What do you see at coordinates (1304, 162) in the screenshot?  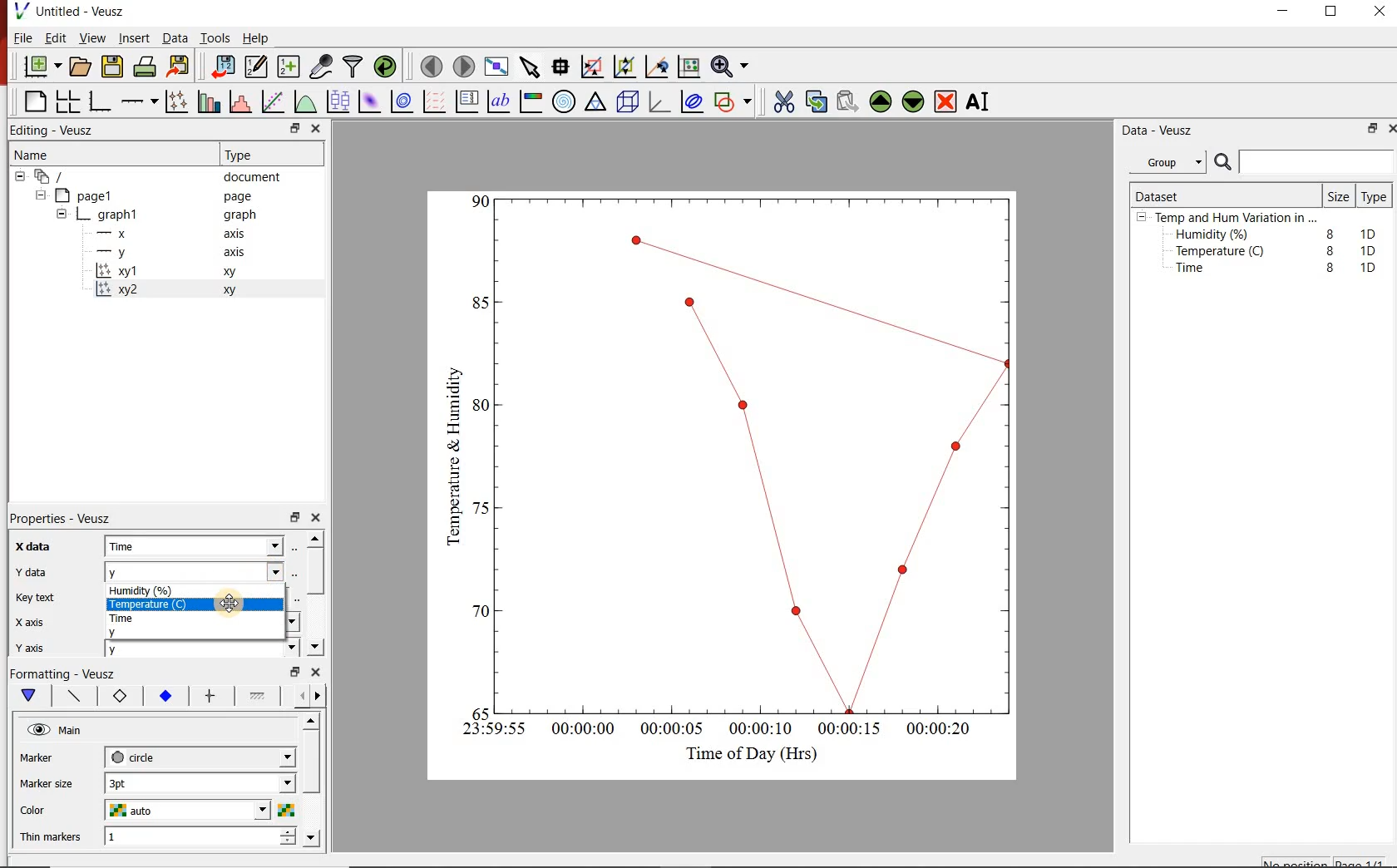 I see `Search bar` at bounding box center [1304, 162].